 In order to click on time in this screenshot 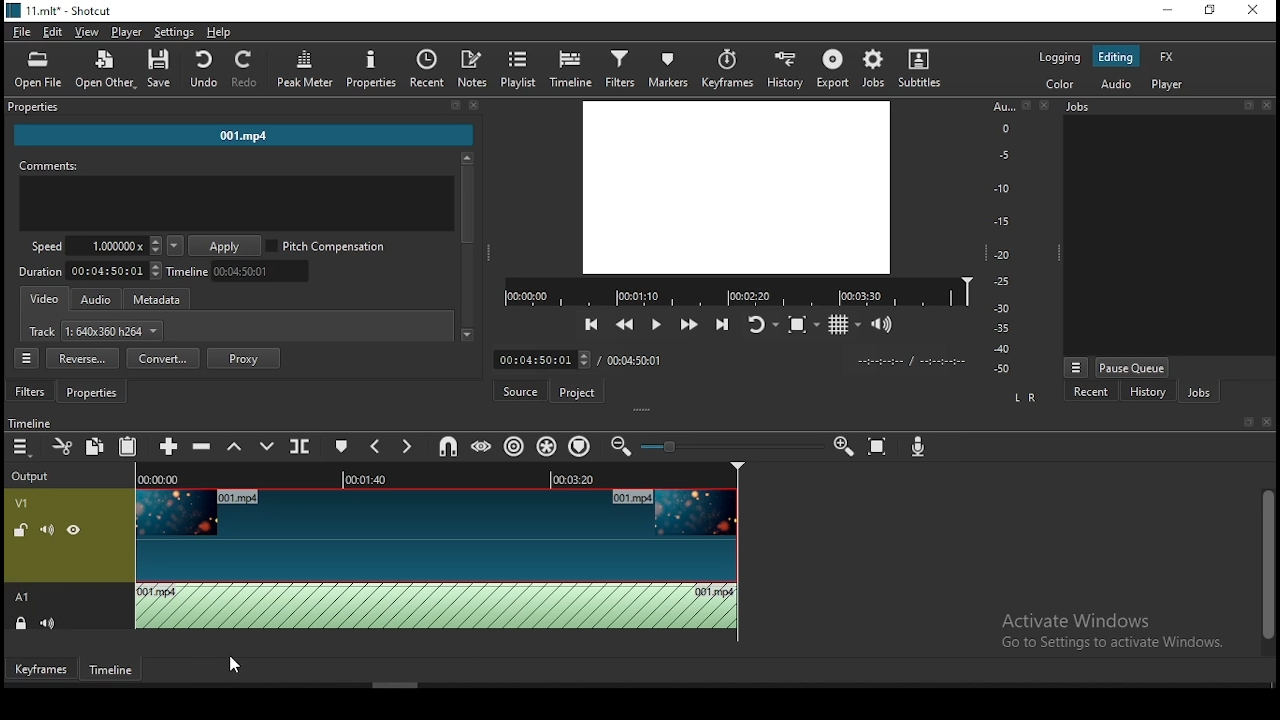, I will do `click(909, 362)`.